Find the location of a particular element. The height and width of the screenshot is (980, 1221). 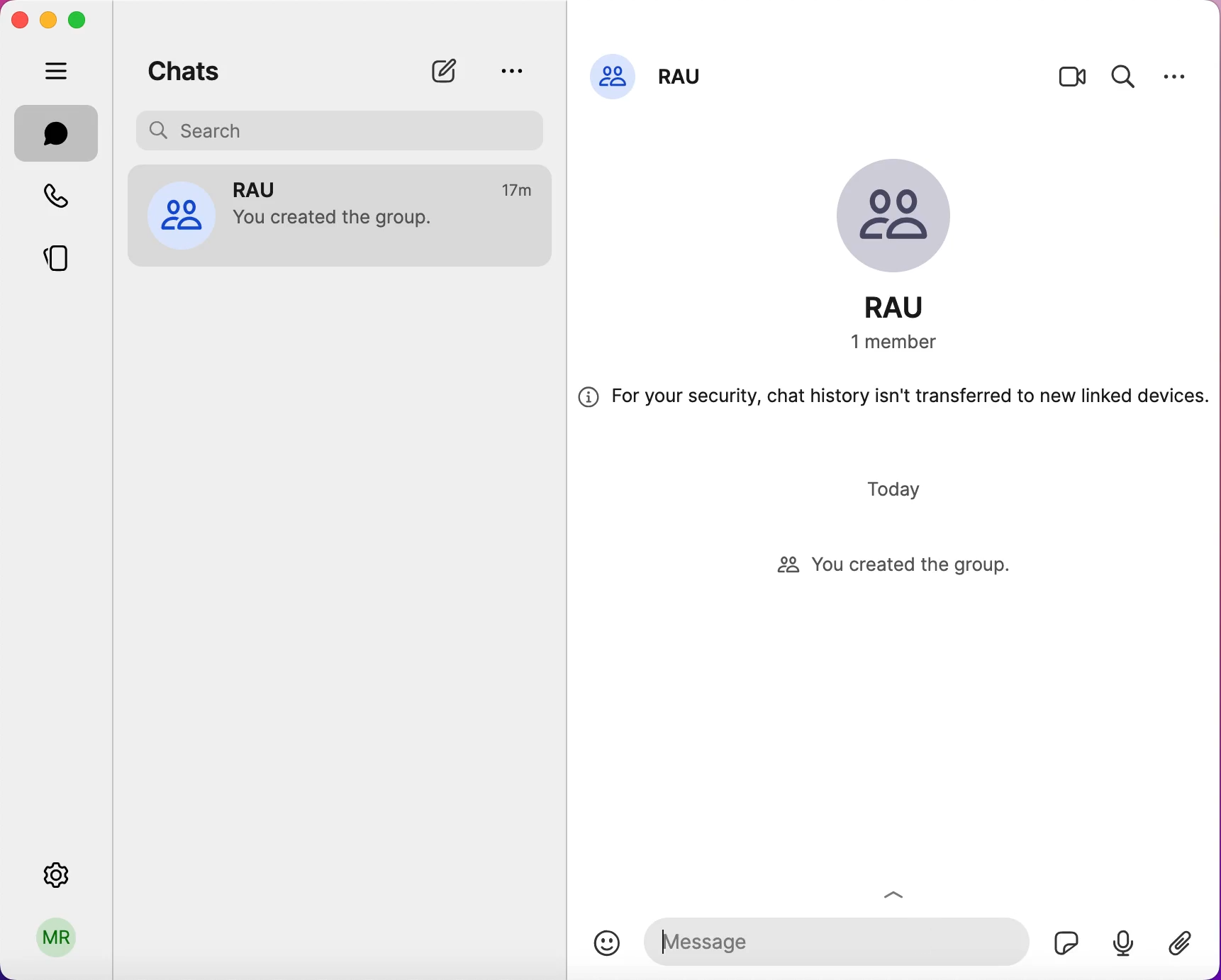

group  is located at coordinates (267, 188).